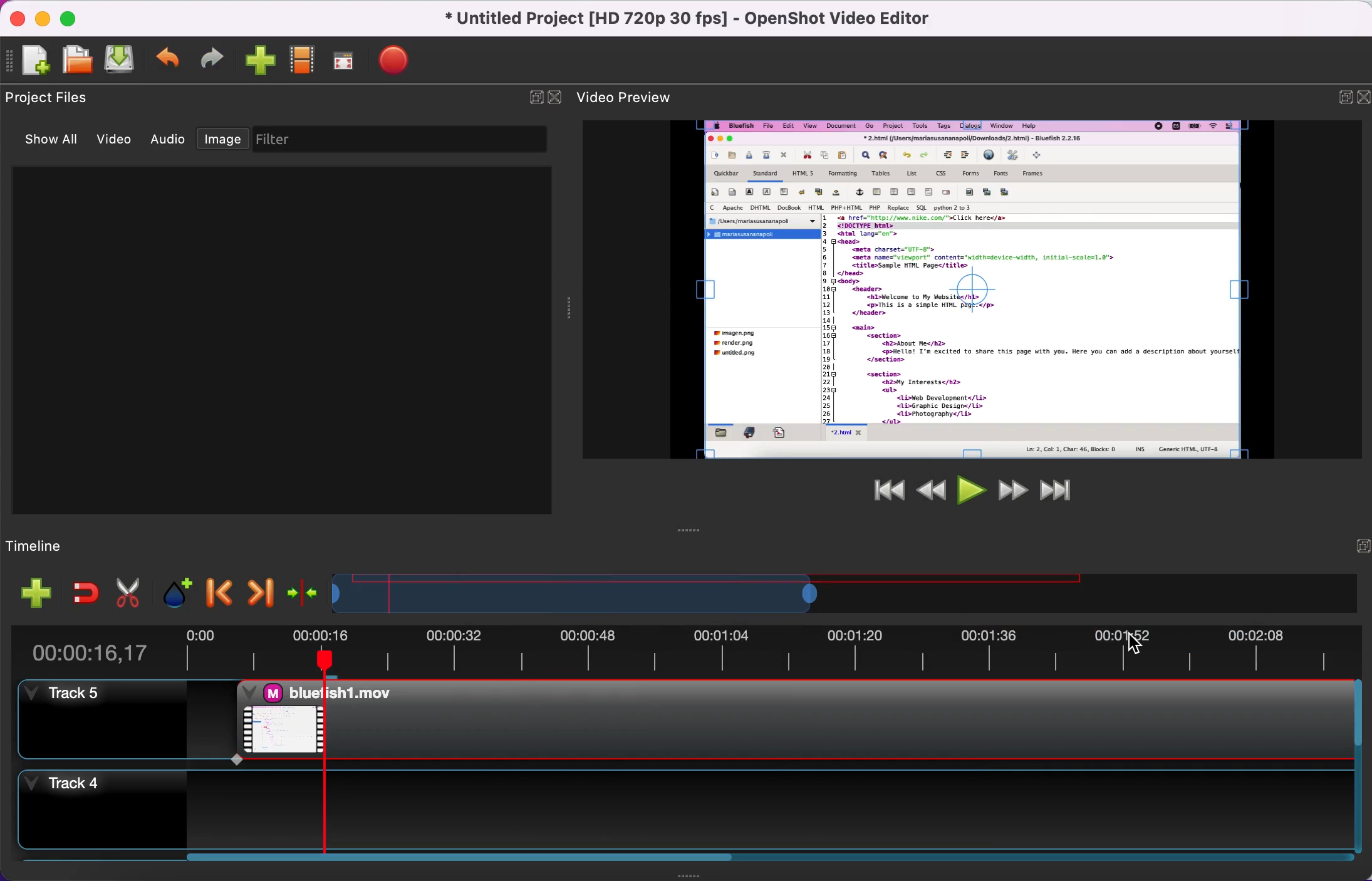 This screenshot has height=881, width=1372. What do you see at coordinates (36, 63) in the screenshot?
I see `new project` at bounding box center [36, 63].